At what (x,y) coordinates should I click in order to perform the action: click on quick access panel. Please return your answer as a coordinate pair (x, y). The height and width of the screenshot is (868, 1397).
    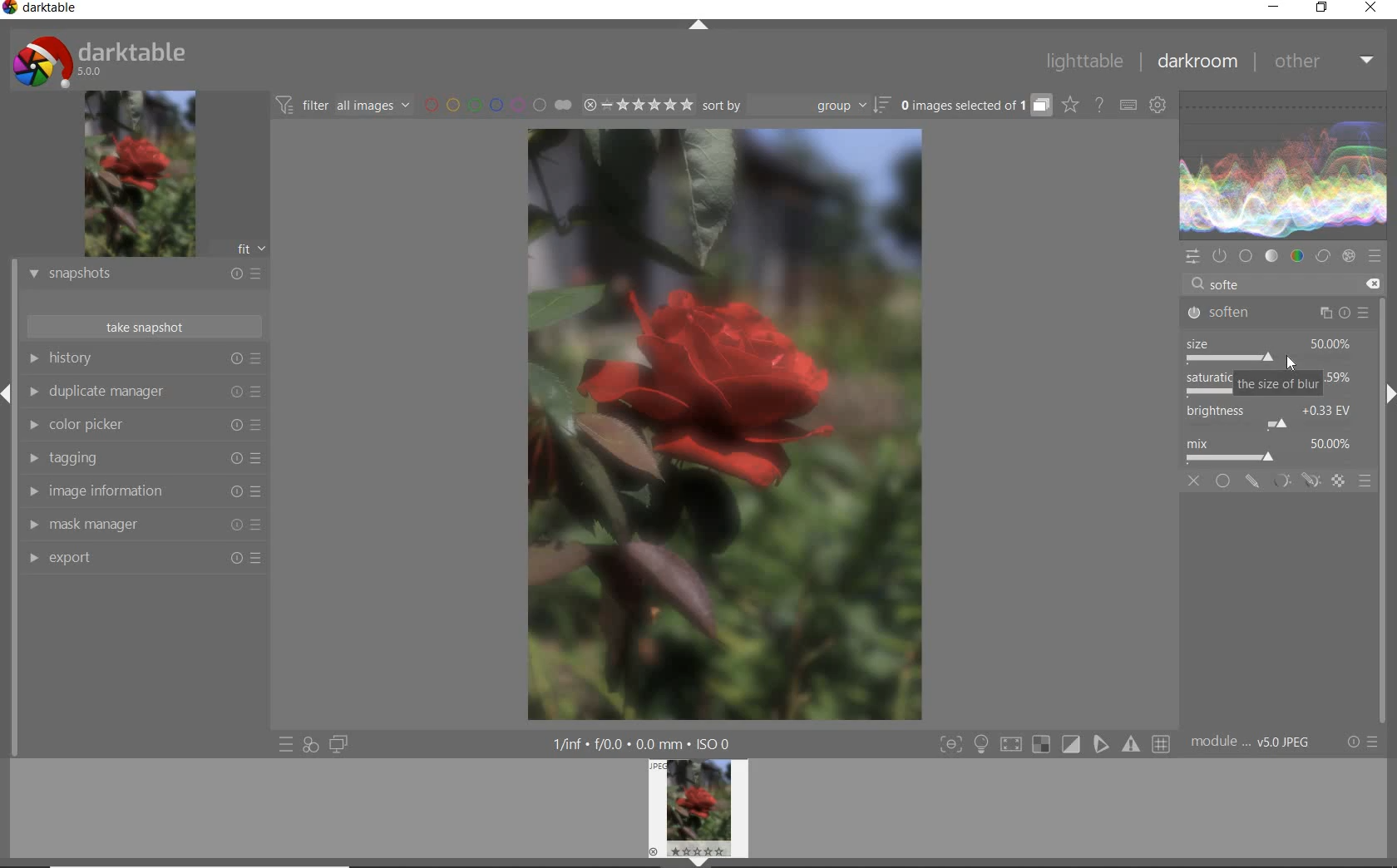
    Looking at the image, I should click on (1192, 257).